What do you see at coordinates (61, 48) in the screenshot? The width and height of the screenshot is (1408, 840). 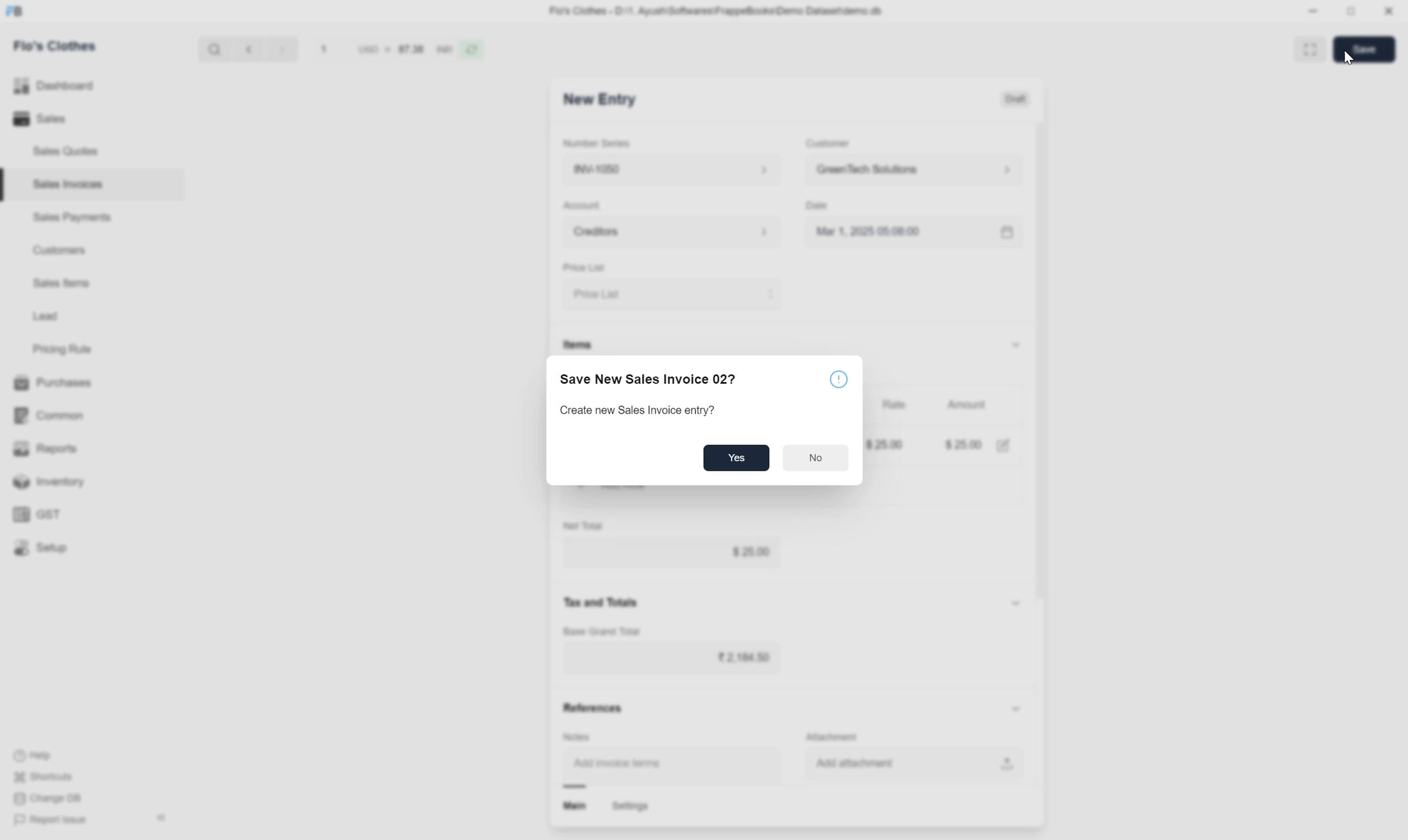 I see `Flo's Clothes` at bounding box center [61, 48].